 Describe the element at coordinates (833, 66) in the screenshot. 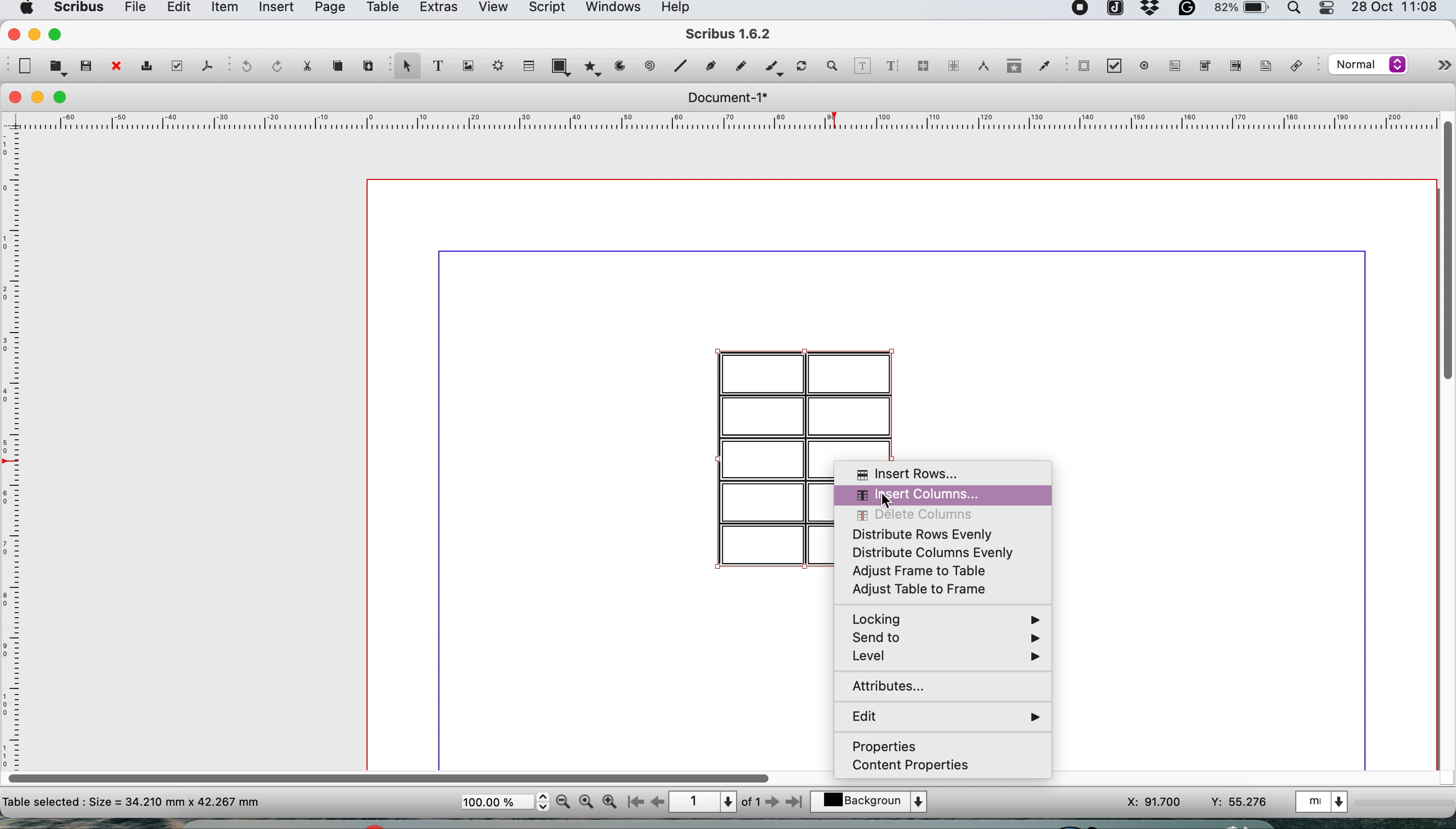

I see `zoom in and out` at that location.